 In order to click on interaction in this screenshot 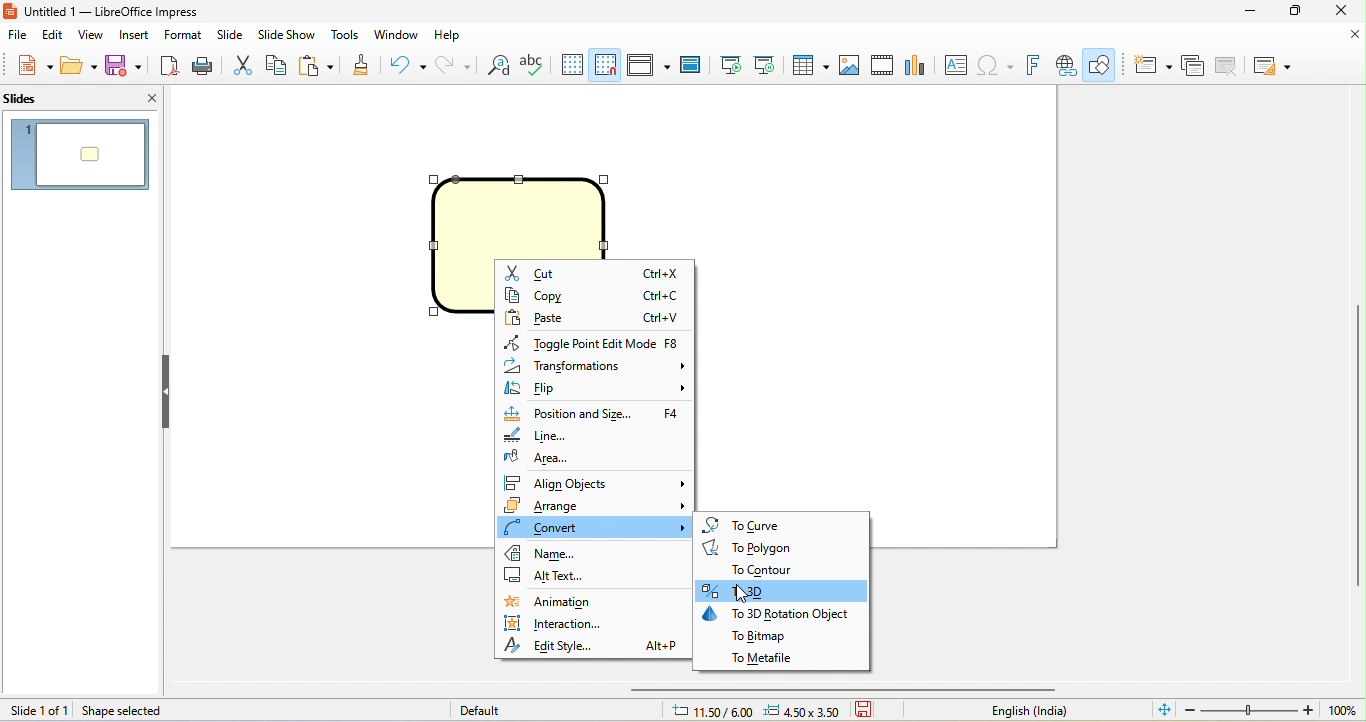, I will do `click(567, 625)`.